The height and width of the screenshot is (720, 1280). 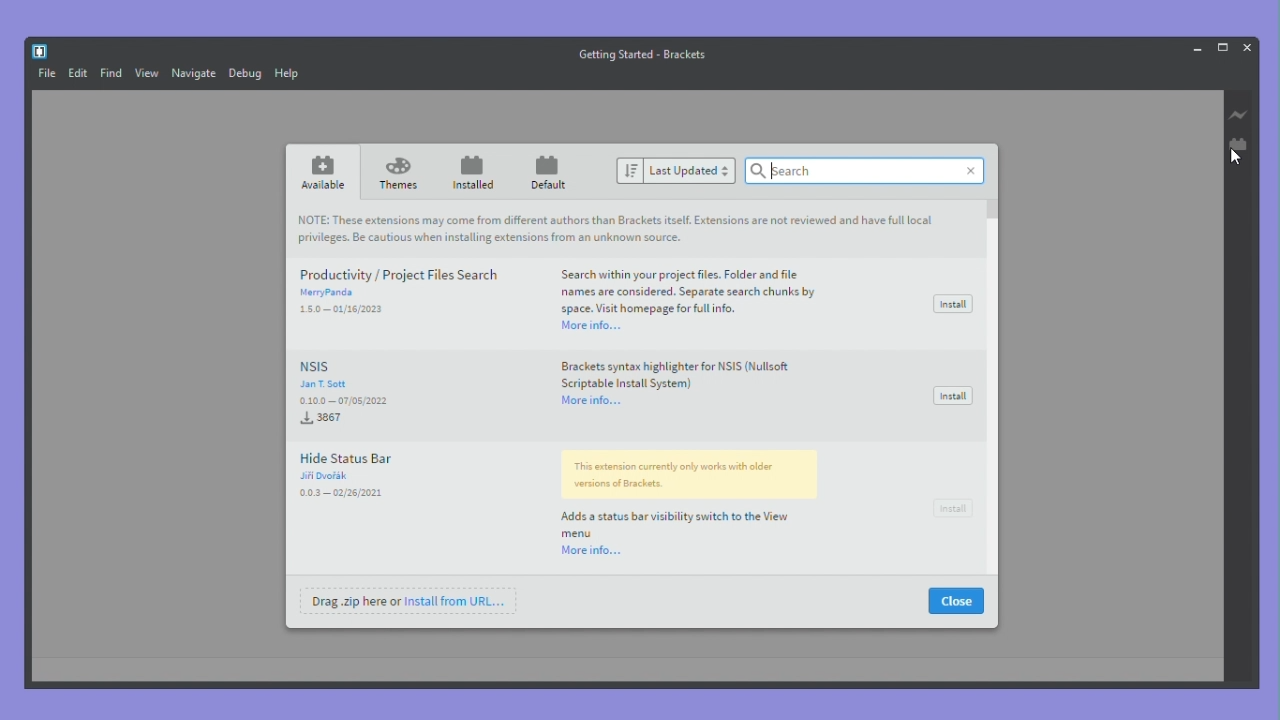 I want to click on edit, so click(x=77, y=73).